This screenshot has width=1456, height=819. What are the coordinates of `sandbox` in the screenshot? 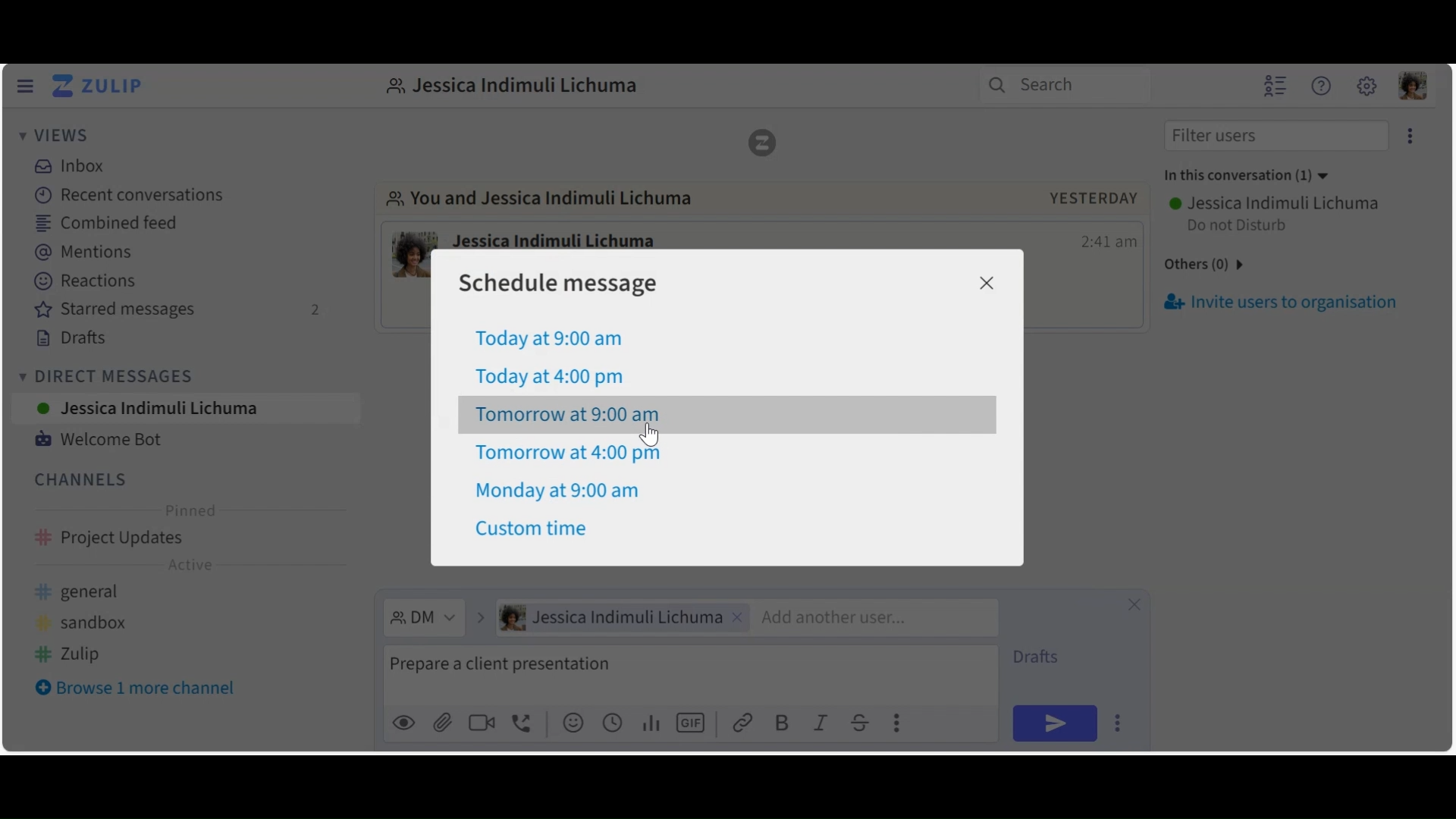 It's located at (99, 623).